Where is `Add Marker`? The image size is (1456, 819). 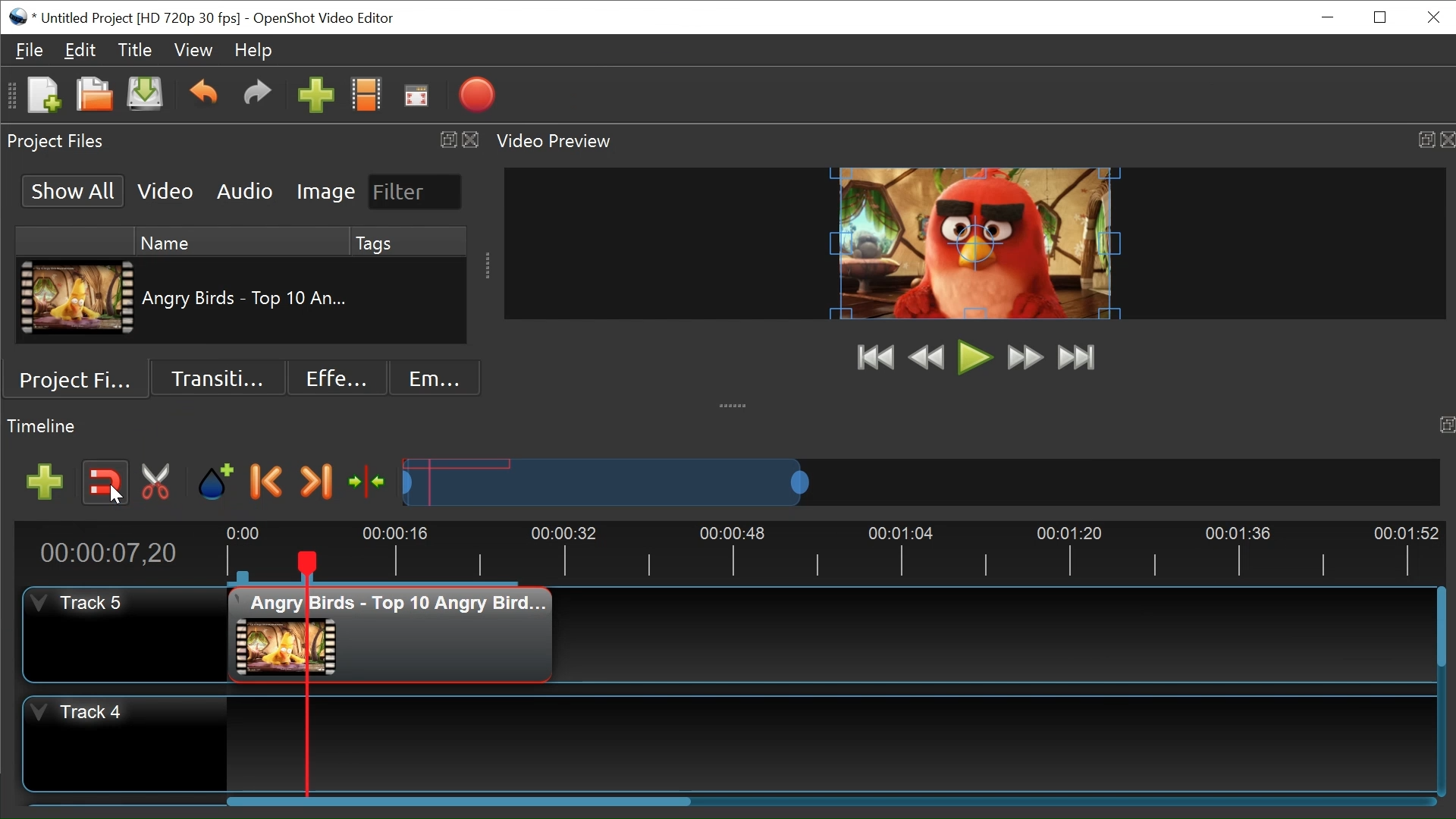 Add Marker is located at coordinates (216, 484).